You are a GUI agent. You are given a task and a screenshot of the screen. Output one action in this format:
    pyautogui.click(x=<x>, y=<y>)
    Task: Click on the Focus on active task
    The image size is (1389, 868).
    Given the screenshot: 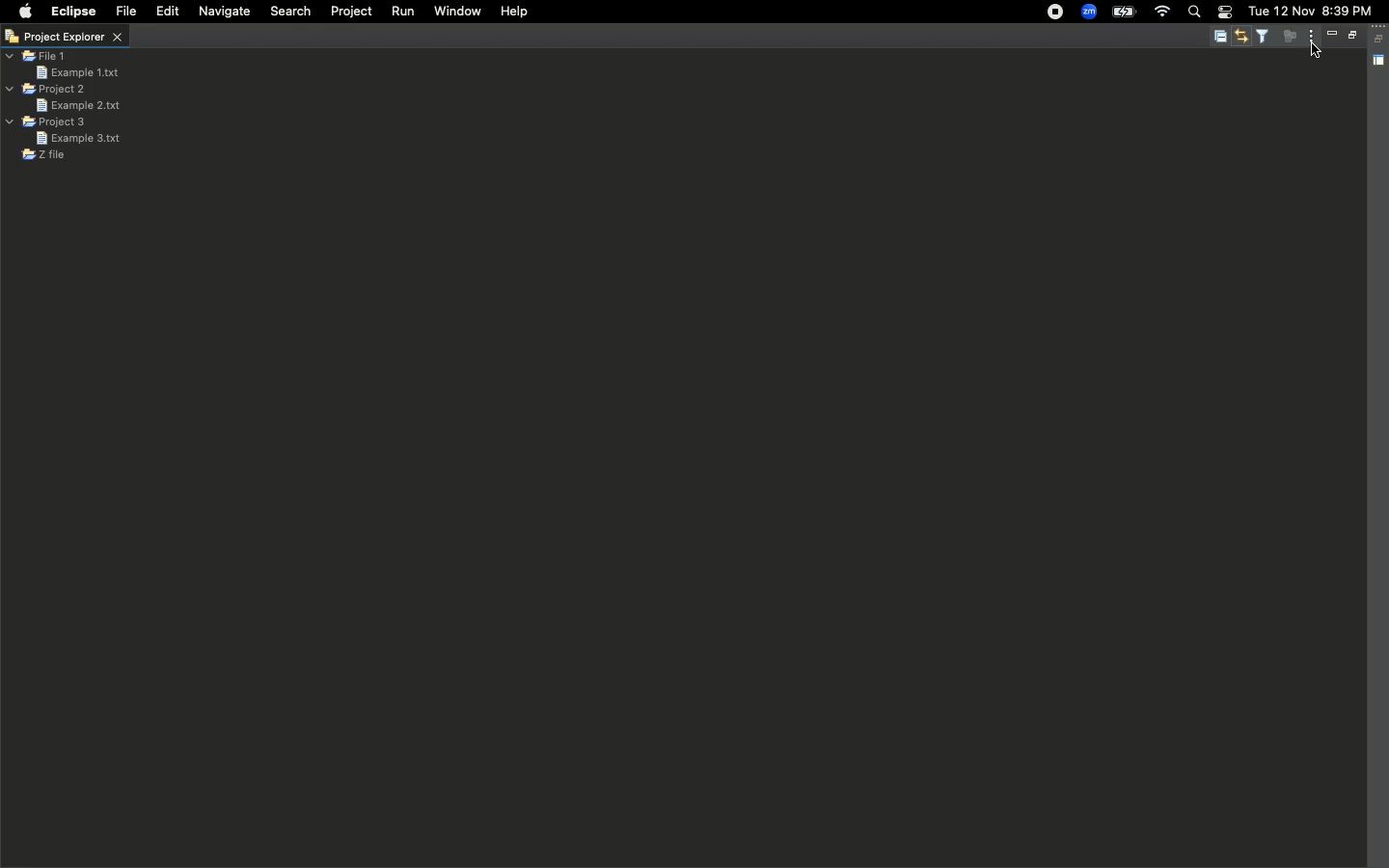 What is the action you would take?
    pyautogui.click(x=1287, y=37)
    